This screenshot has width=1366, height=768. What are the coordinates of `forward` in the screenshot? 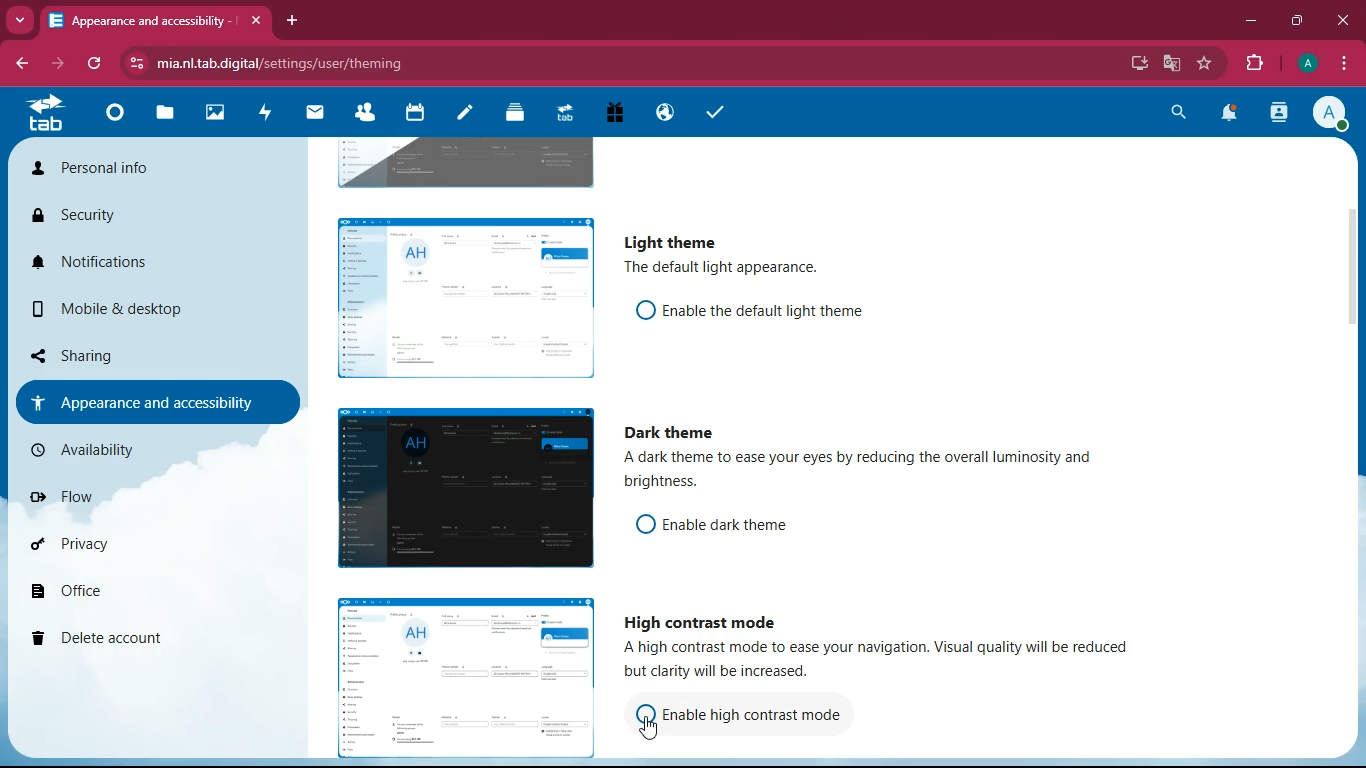 It's located at (60, 66).